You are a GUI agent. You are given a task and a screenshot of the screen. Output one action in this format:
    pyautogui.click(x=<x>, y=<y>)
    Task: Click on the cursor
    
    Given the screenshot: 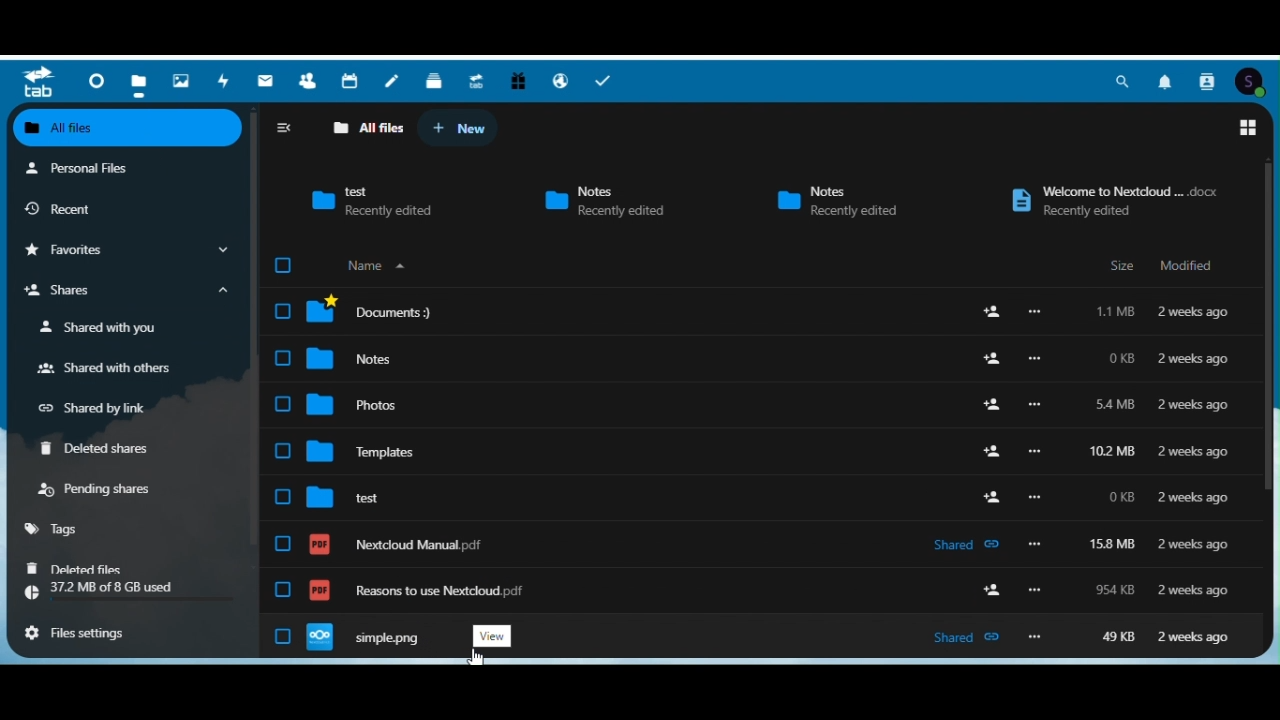 What is the action you would take?
    pyautogui.click(x=474, y=657)
    